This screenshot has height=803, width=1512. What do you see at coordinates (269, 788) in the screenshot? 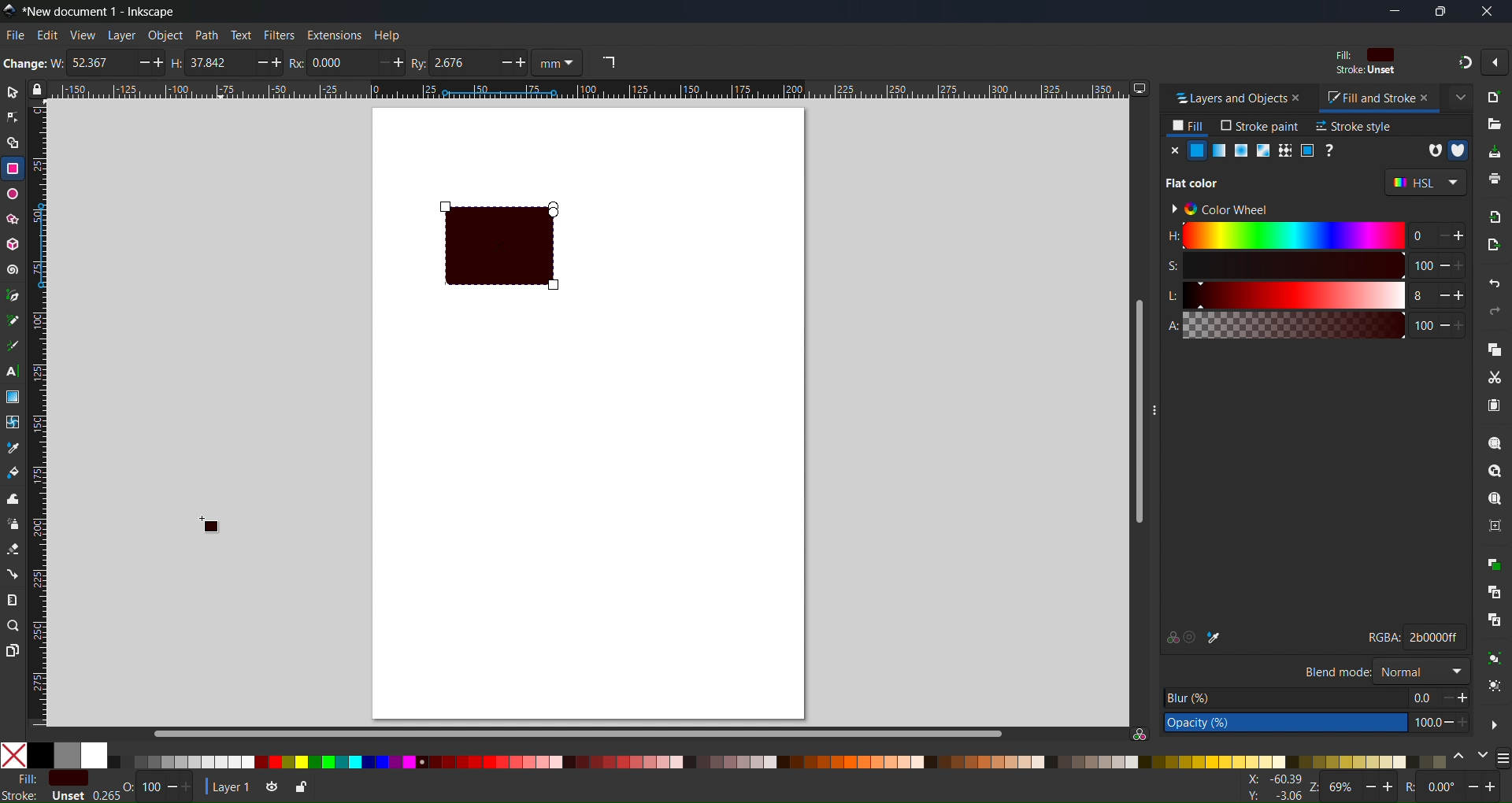
I see `Toggle current layer visibility` at bounding box center [269, 788].